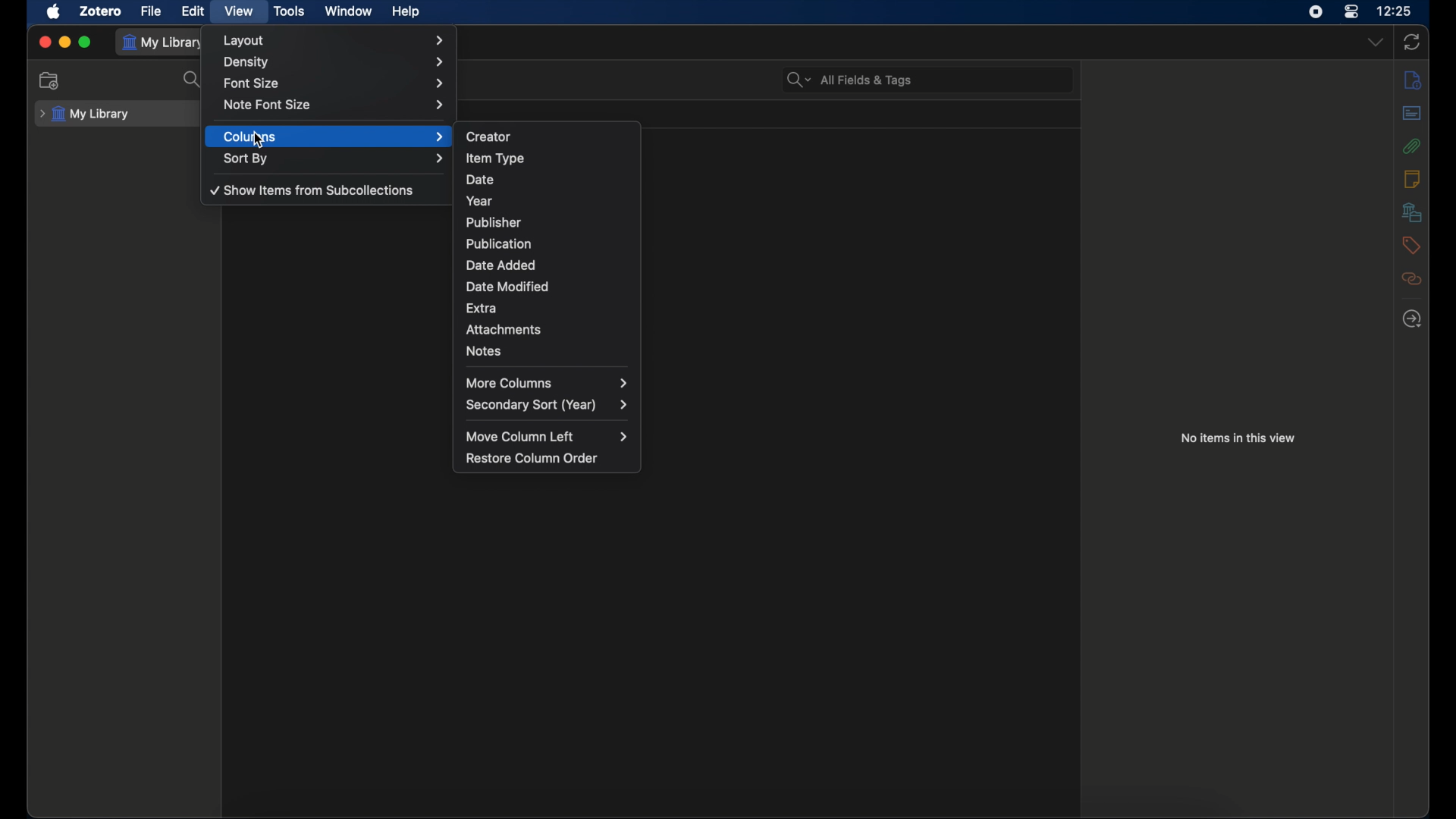 The width and height of the screenshot is (1456, 819). I want to click on related, so click(1412, 279).